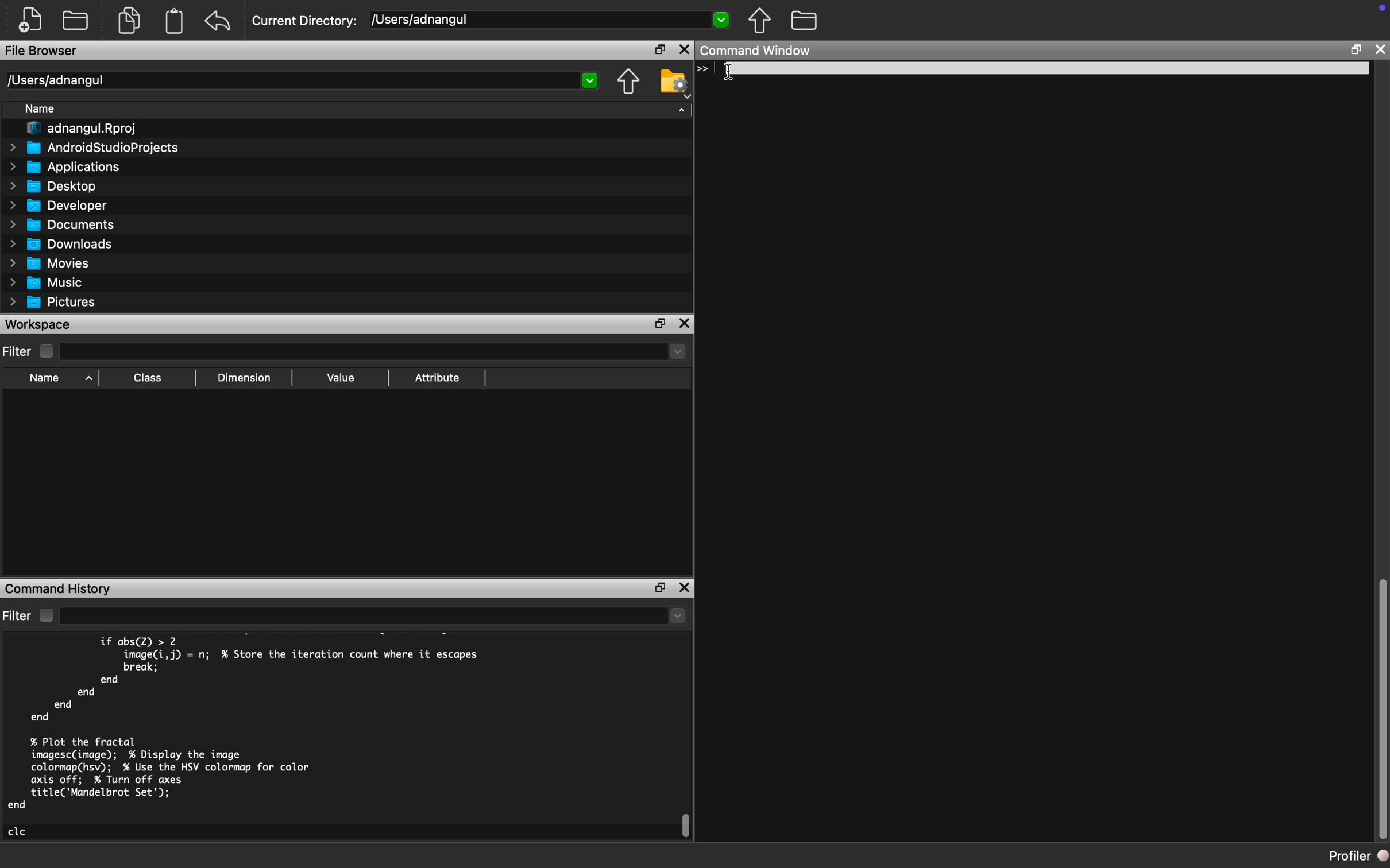 The image size is (1390, 868). I want to click on Restore Down, so click(662, 49).